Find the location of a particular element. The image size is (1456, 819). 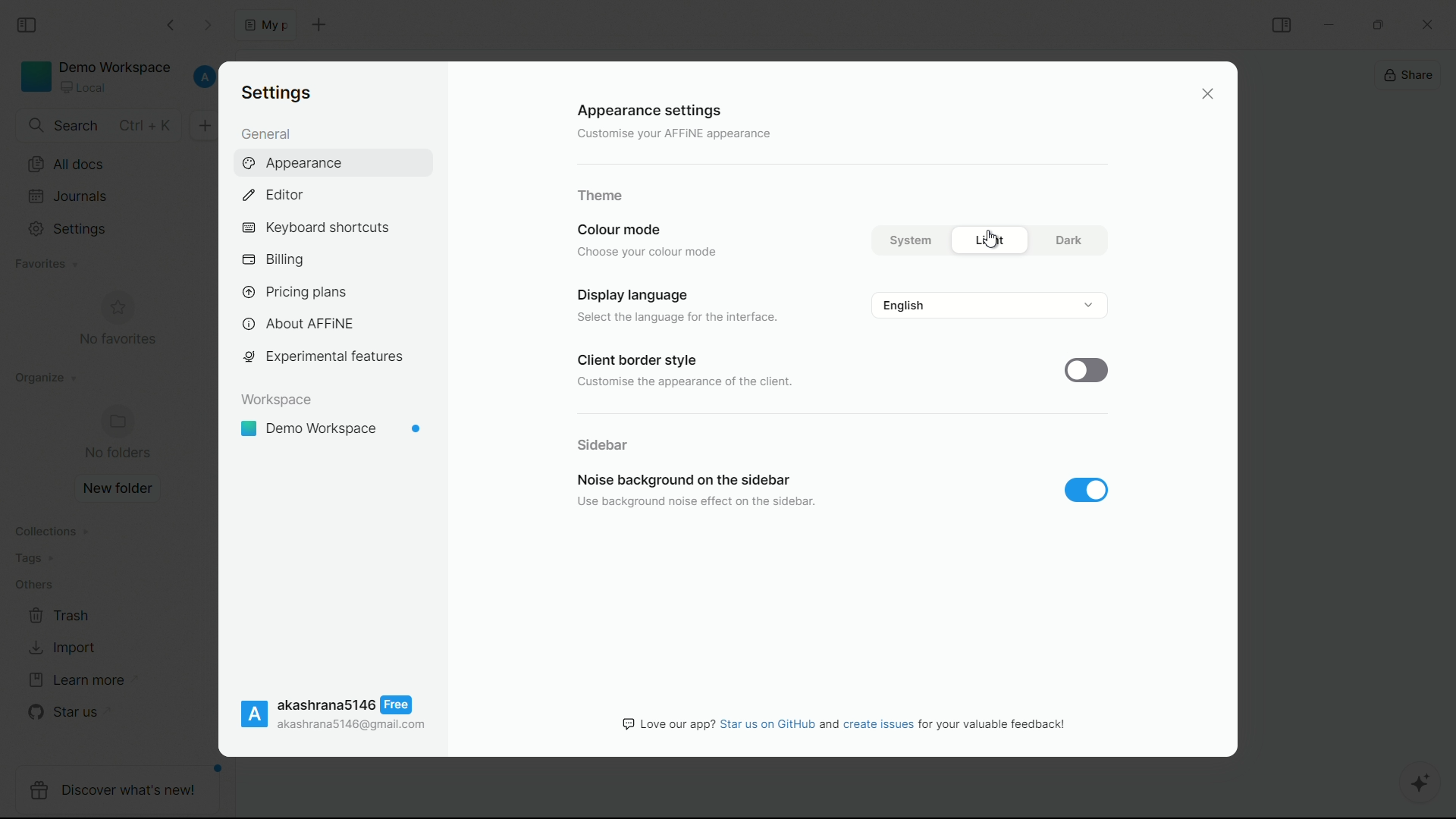

close app is located at coordinates (1433, 22).